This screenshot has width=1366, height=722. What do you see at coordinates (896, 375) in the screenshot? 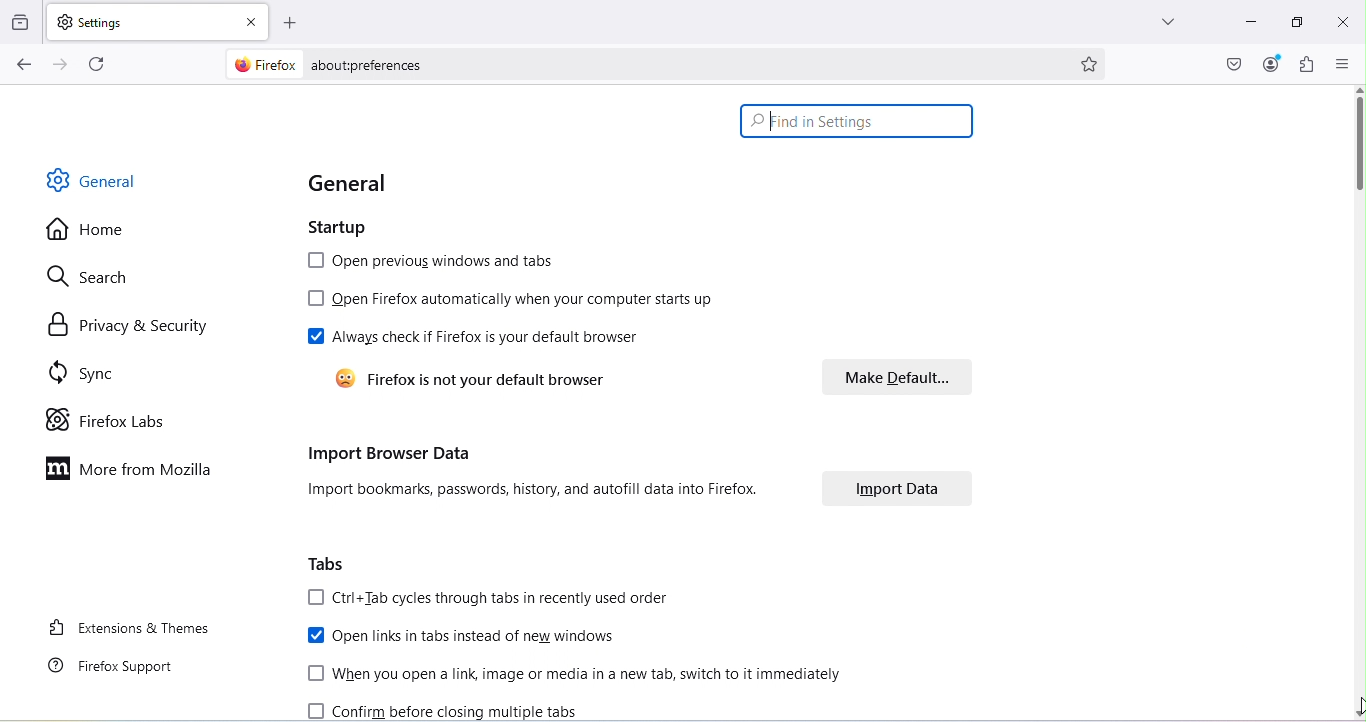
I see `Make default` at bounding box center [896, 375].